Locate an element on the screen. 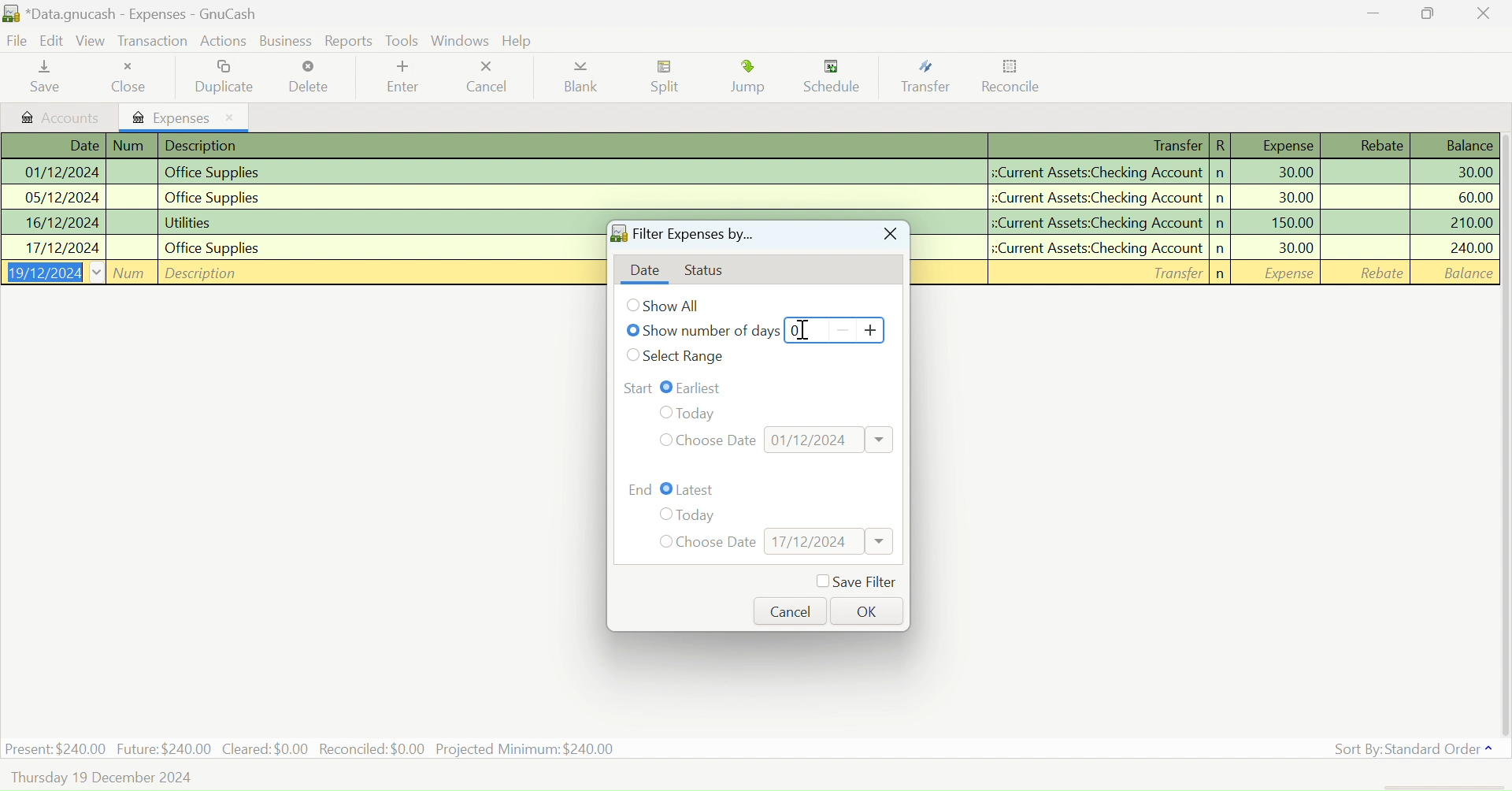 The image size is (1512, 791). OK is located at coordinates (864, 610).